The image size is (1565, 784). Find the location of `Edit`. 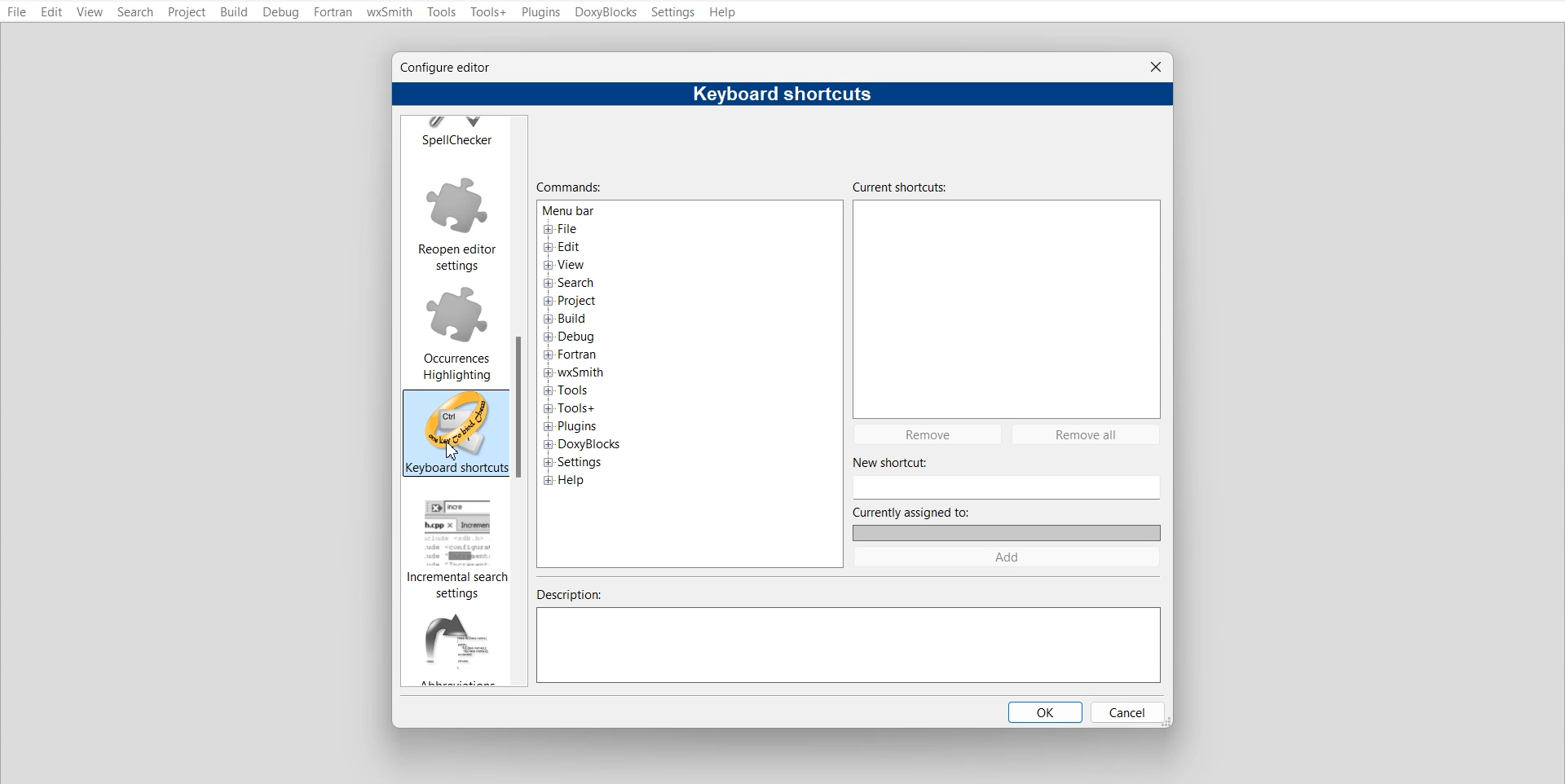

Edit is located at coordinates (53, 12).